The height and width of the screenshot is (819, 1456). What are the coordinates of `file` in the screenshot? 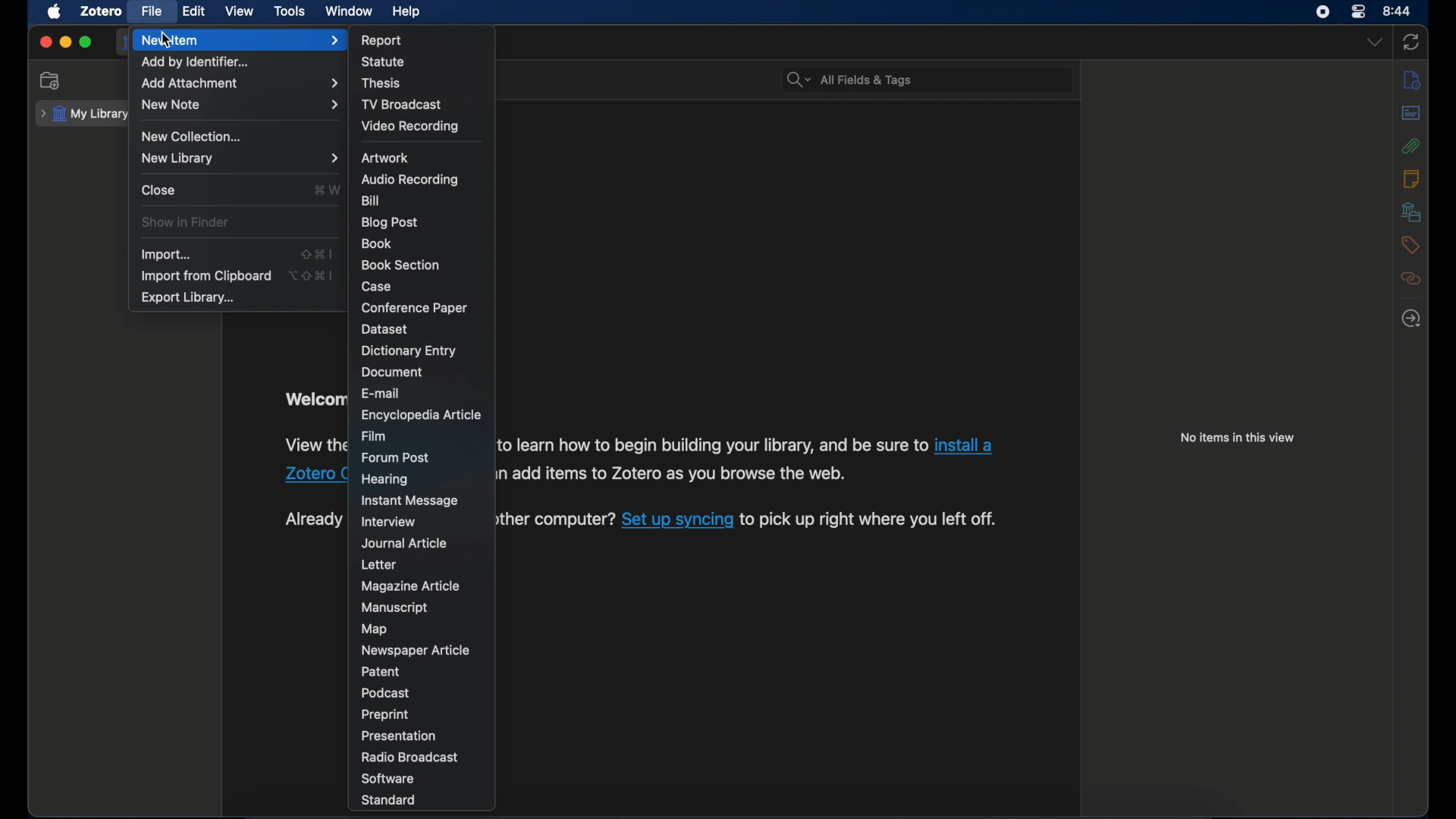 It's located at (151, 11).